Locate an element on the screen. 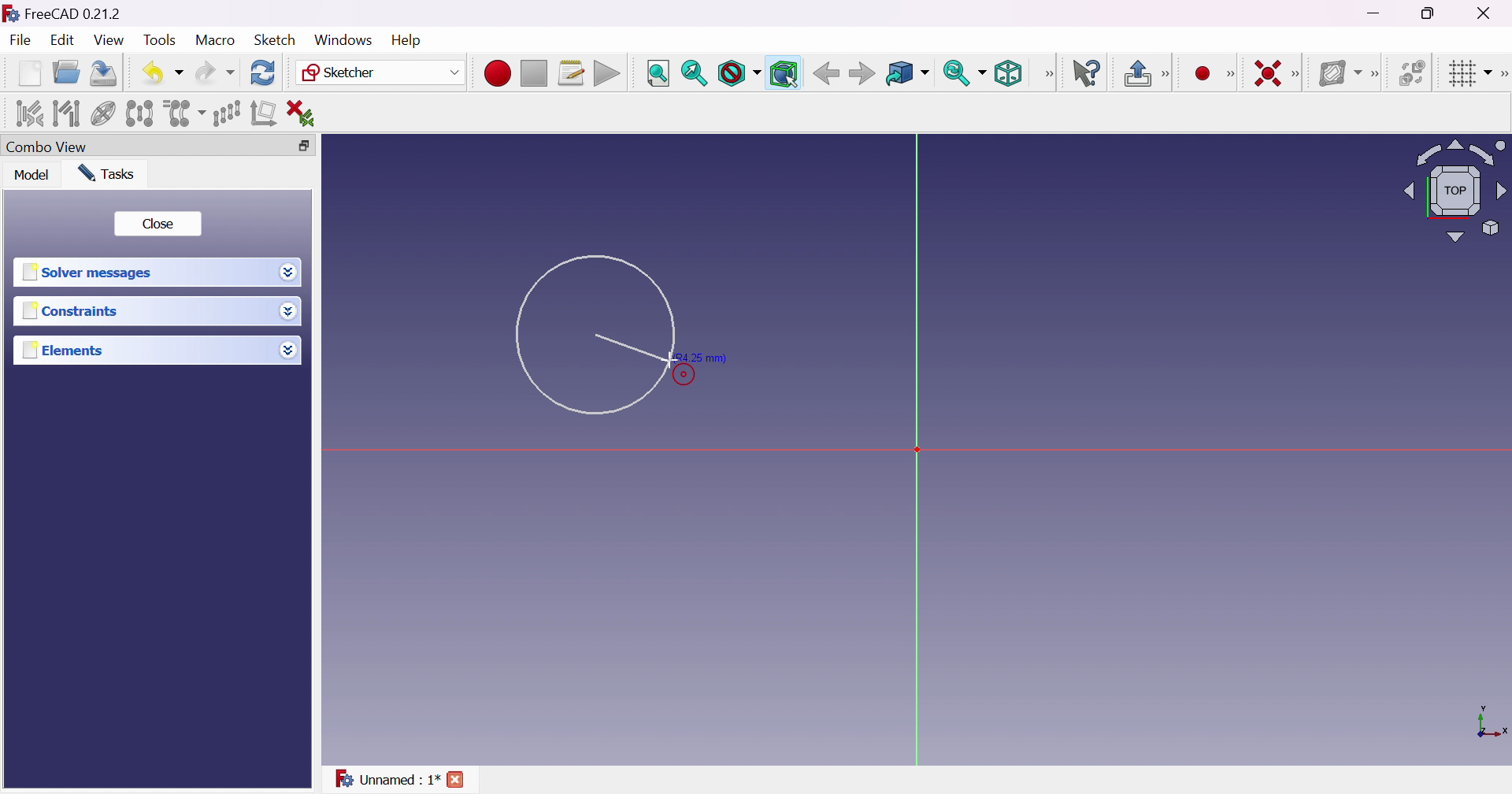  FreeCAD 0.21.2 is located at coordinates (74, 13).